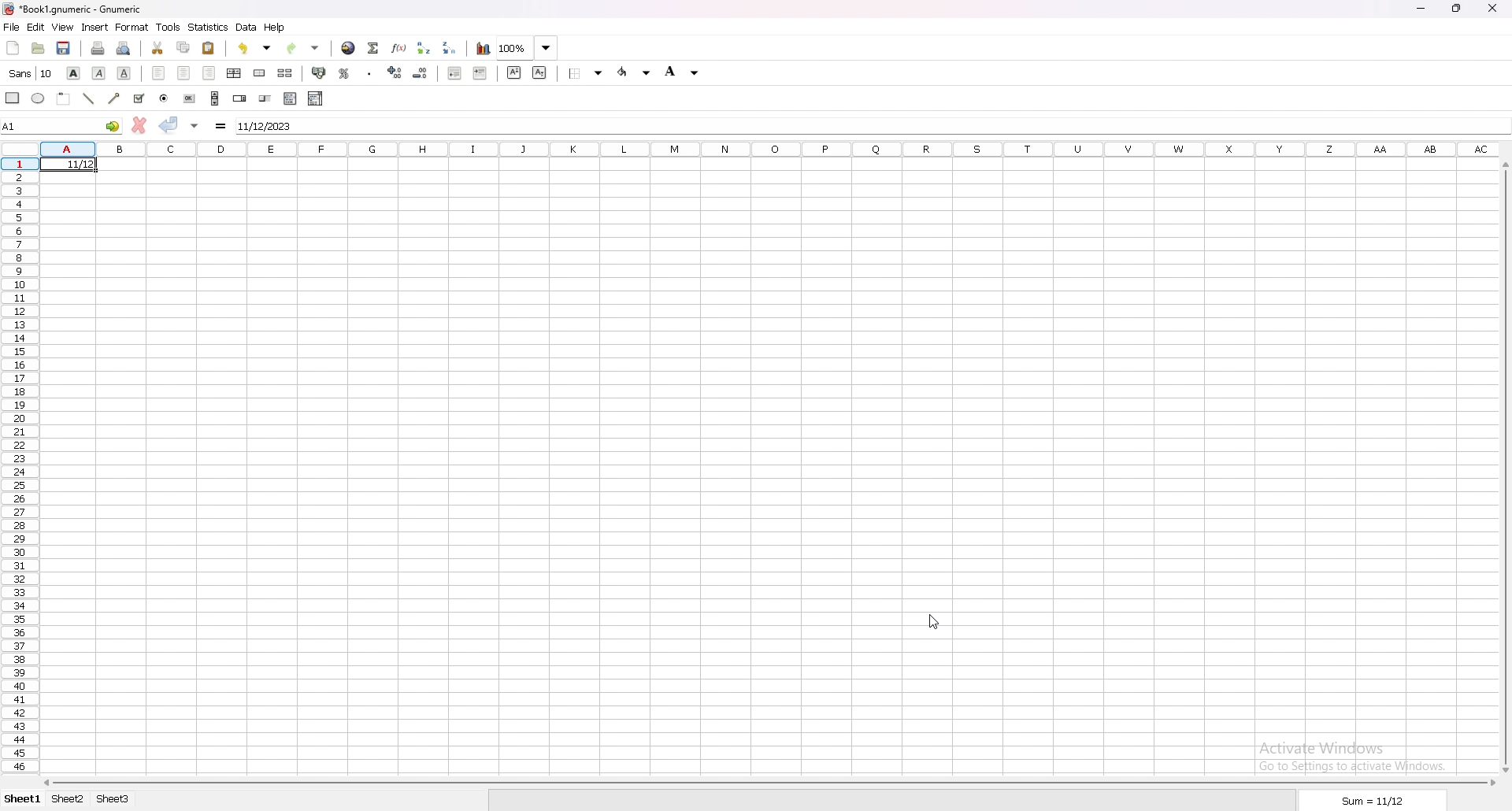  I want to click on italic, so click(98, 73).